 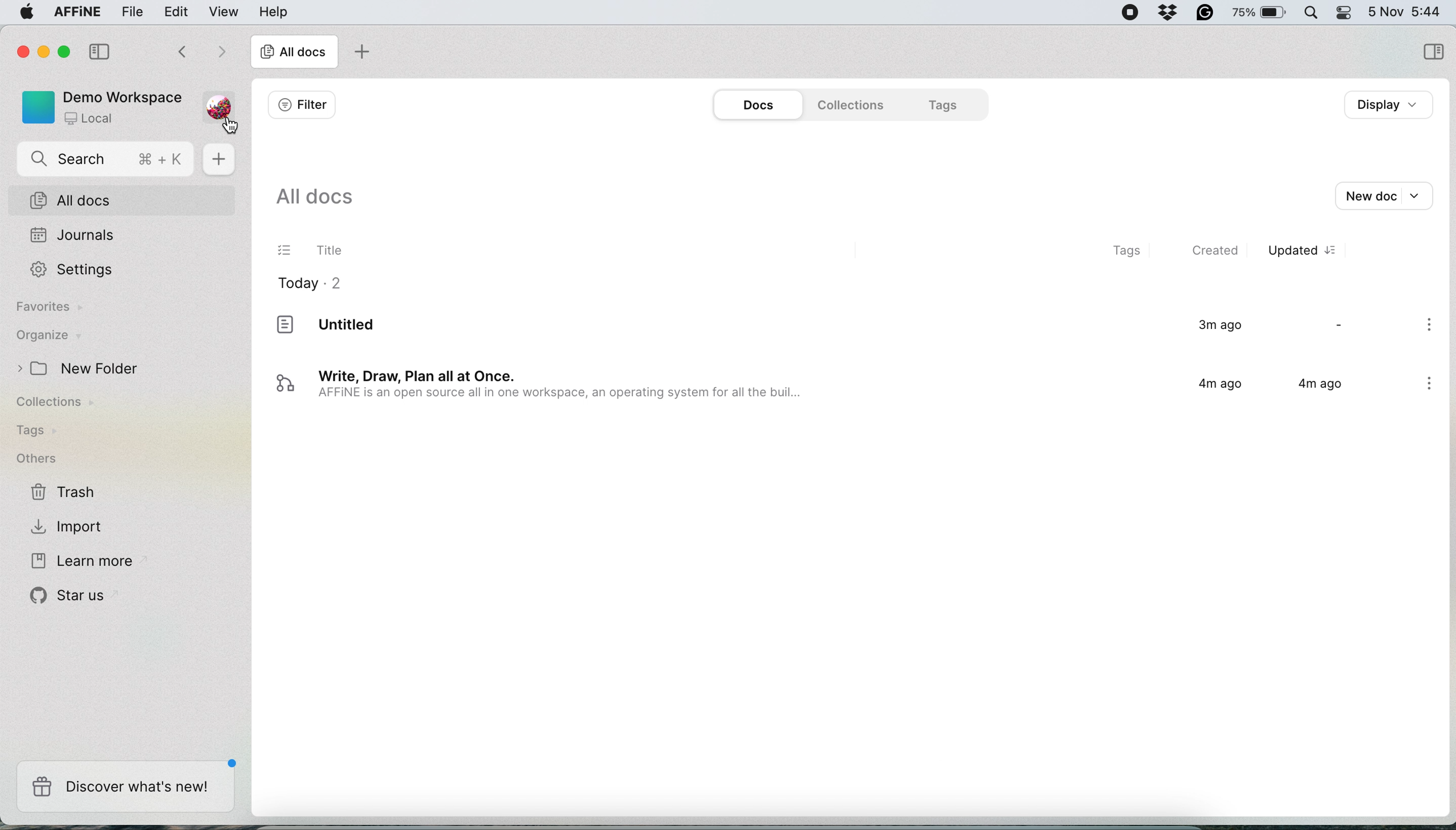 I want to click on help, so click(x=273, y=11).